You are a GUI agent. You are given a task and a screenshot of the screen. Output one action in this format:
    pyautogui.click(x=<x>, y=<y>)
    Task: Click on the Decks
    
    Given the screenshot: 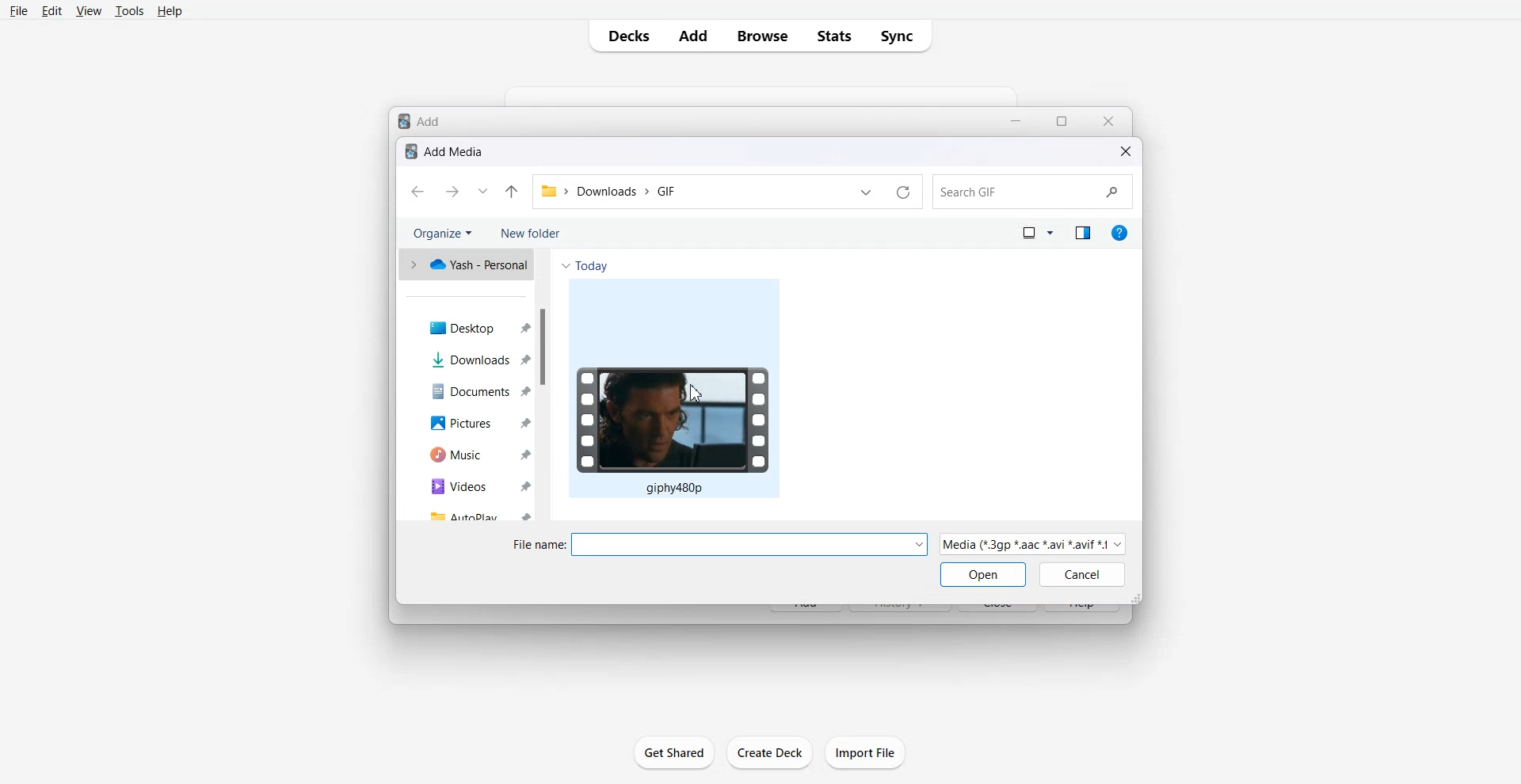 What is the action you would take?
    pyautogui.click(x=626, y=36)
    